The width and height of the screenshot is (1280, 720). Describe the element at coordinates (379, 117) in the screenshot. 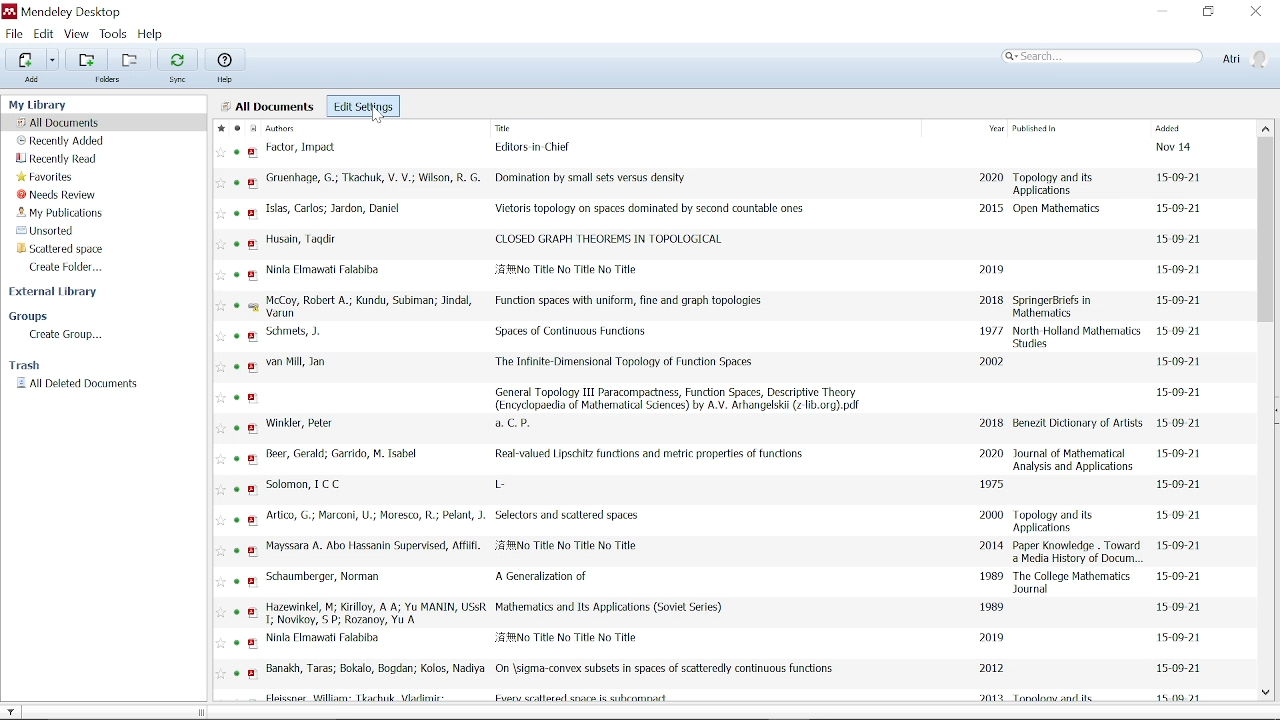

I see `cursor` at that location.